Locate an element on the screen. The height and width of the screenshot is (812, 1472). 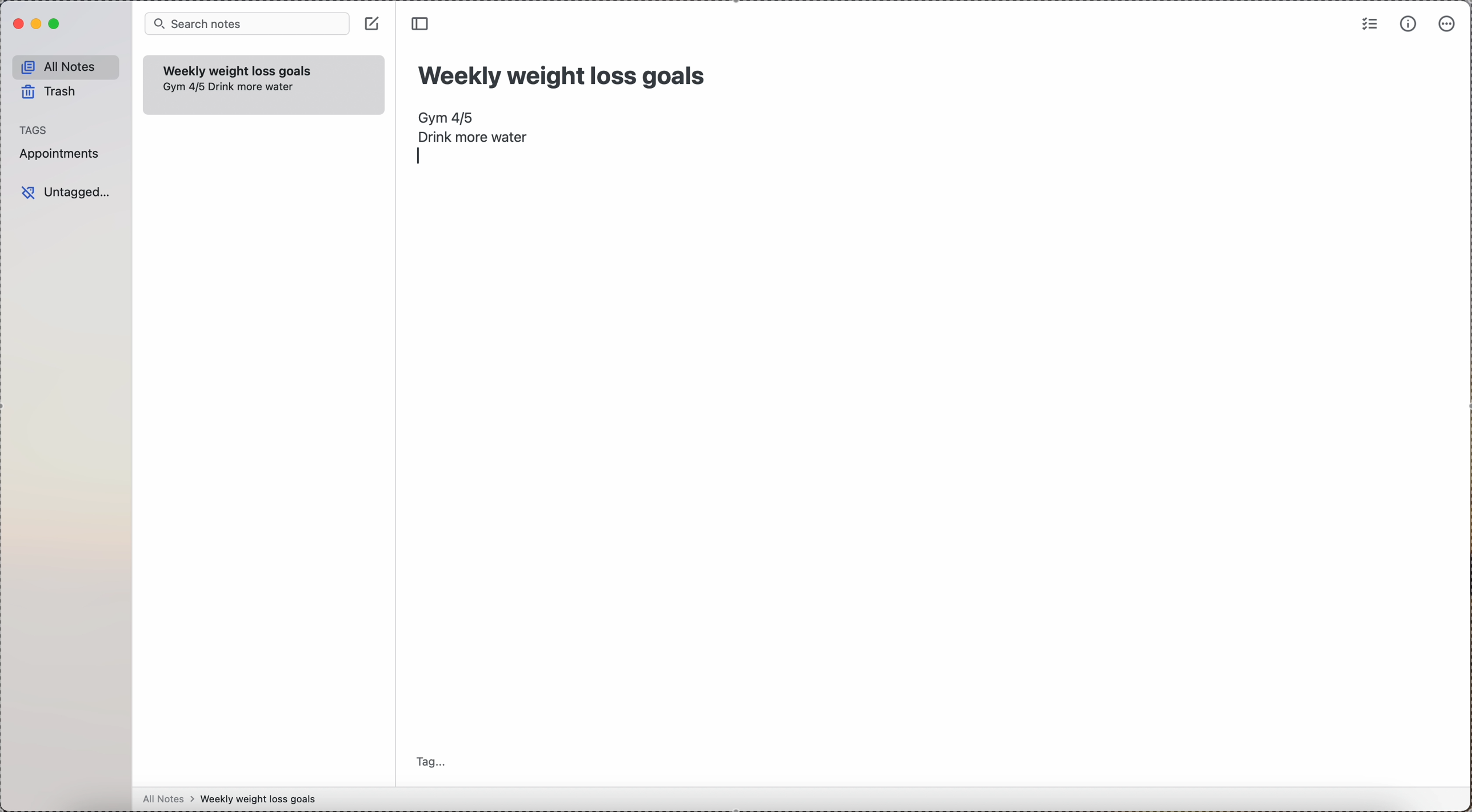
maximize Simplenote is located at coordinates (56, 24).